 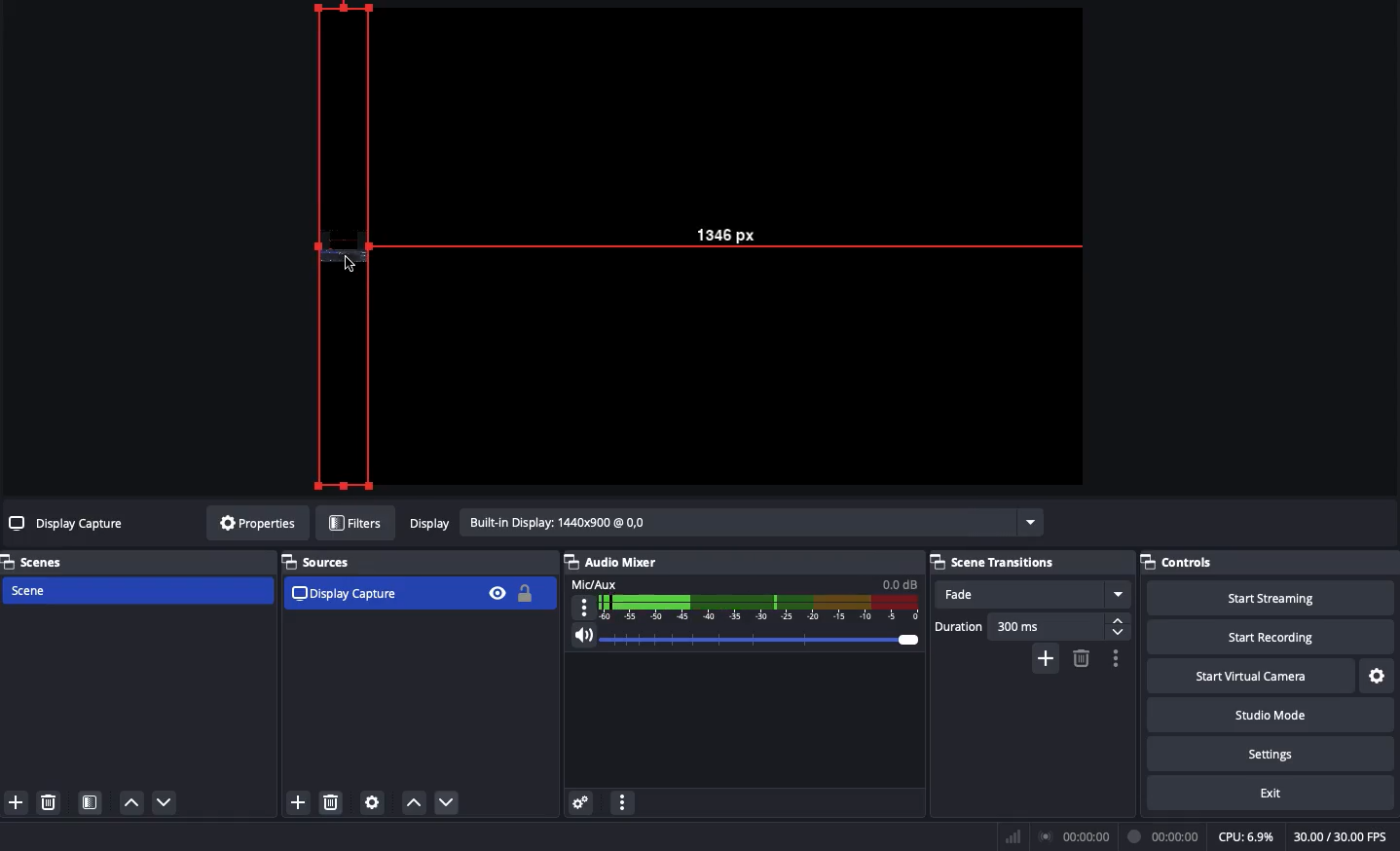 What do you see at coordinates (1080, 658) in the screenshot?
I see `Delete` at bounding box center [1080, 658].